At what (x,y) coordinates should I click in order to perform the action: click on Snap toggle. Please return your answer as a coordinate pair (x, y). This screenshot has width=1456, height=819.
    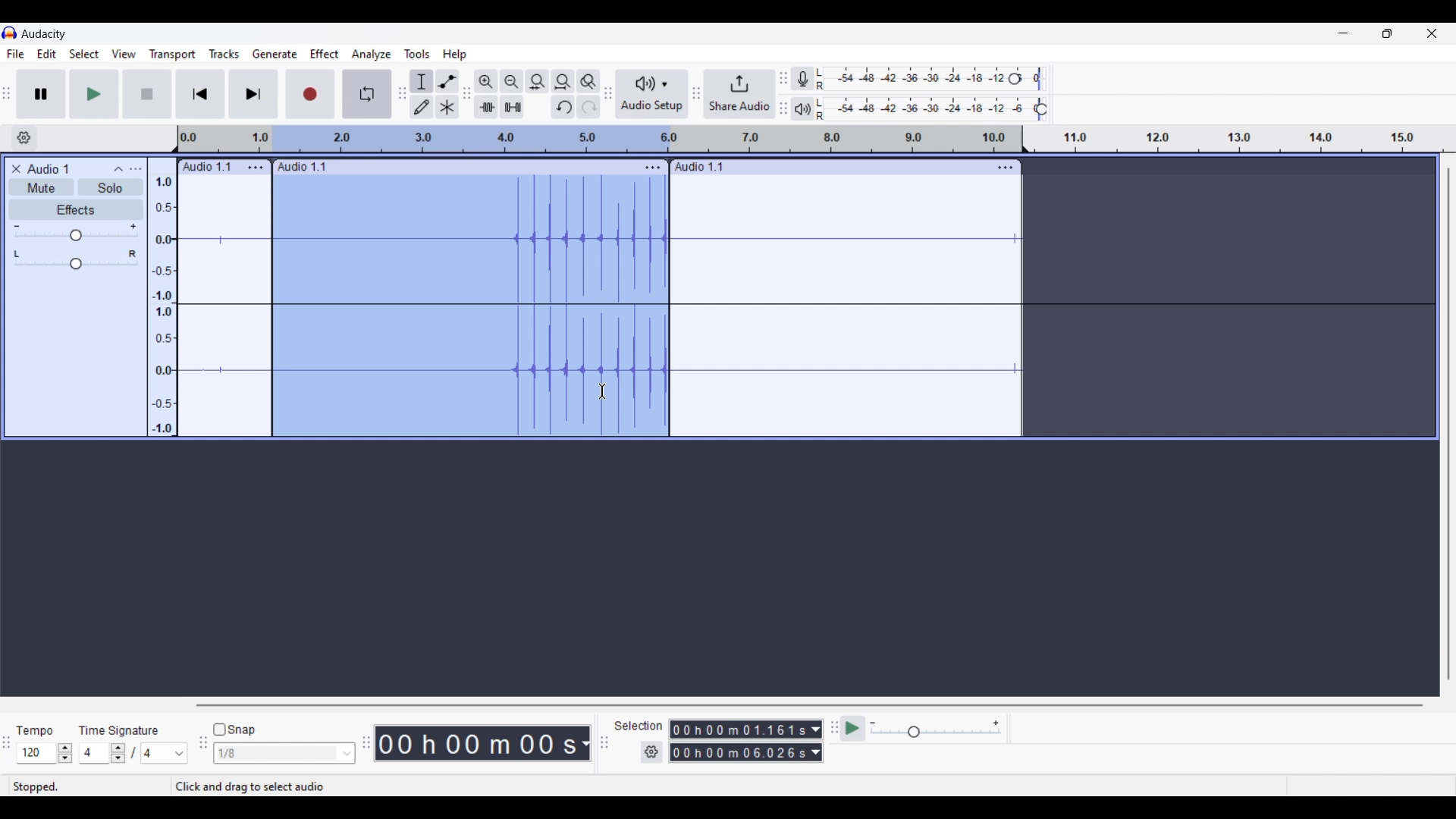
    Looking at the image, I should click on (234, 730).